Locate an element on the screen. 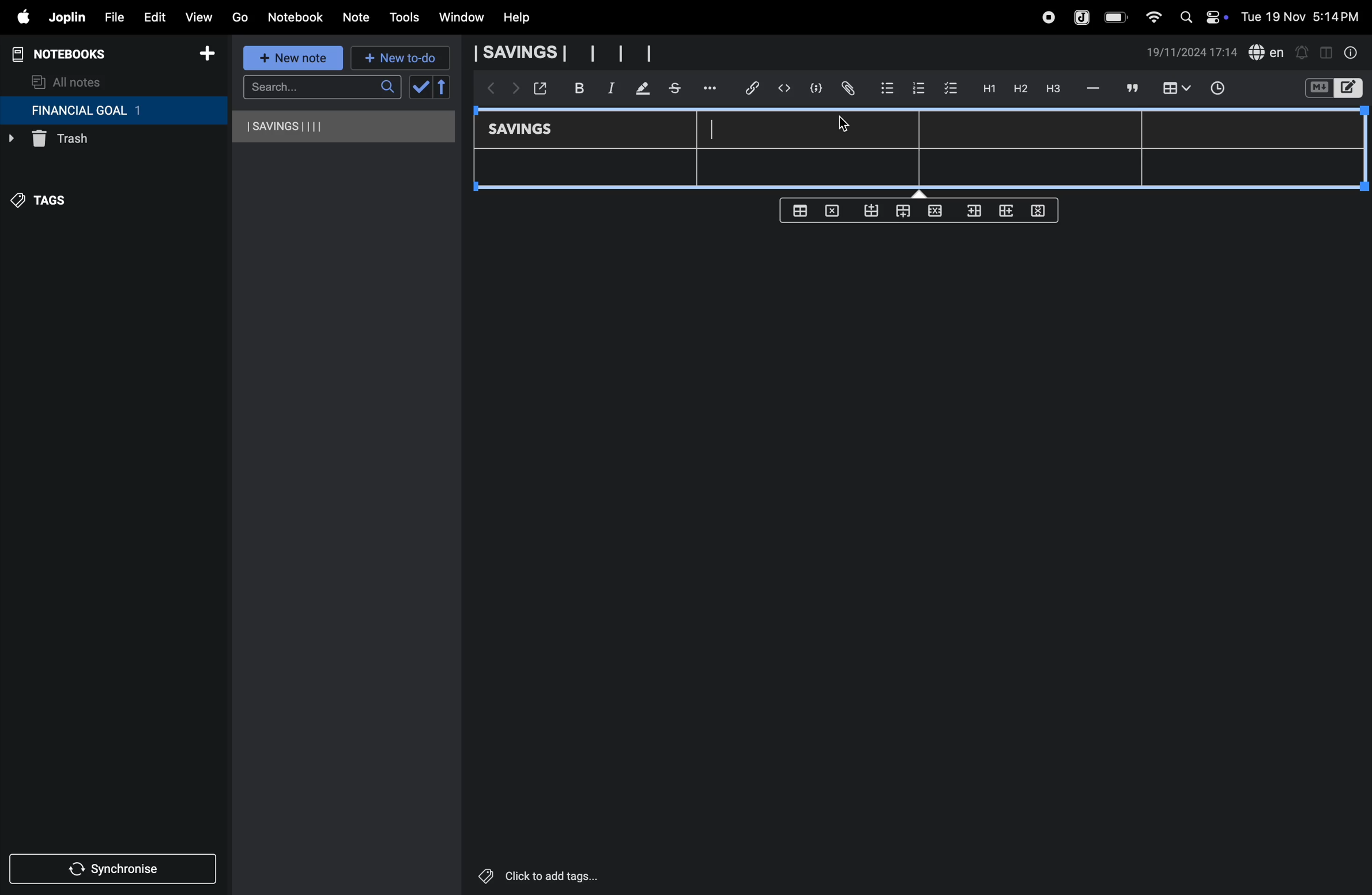 The image size is (1372, 895). alert is located at coordinates (1301, 52).